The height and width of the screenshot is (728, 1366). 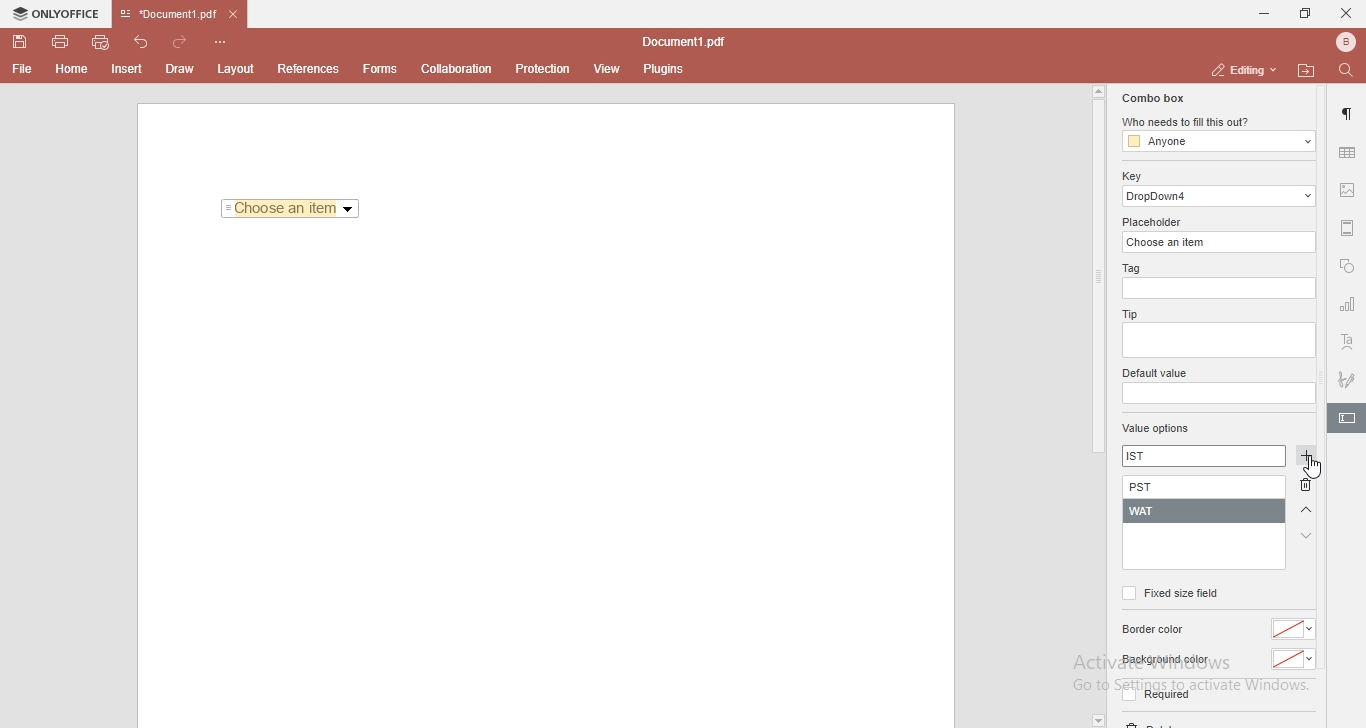 What do you see at coordinates (1169, 593) in the screenshot?
I see `fixed size field` at bounding box center [1169, 593].